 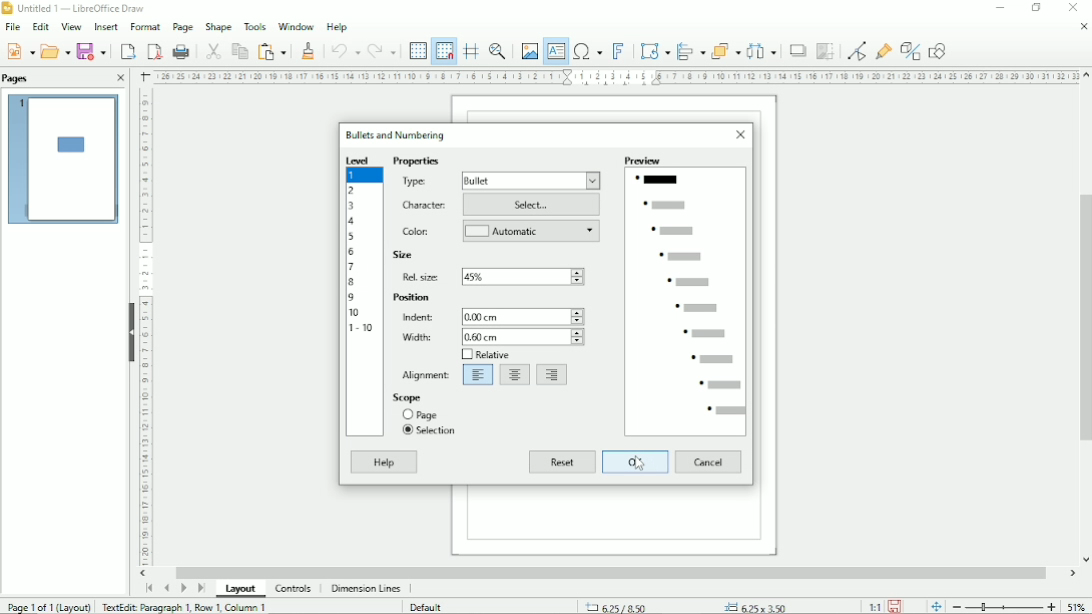 What do you see at coordinates (725, 49) in the screenshot?
I see `Arrange` at bounding box center [725, 49].